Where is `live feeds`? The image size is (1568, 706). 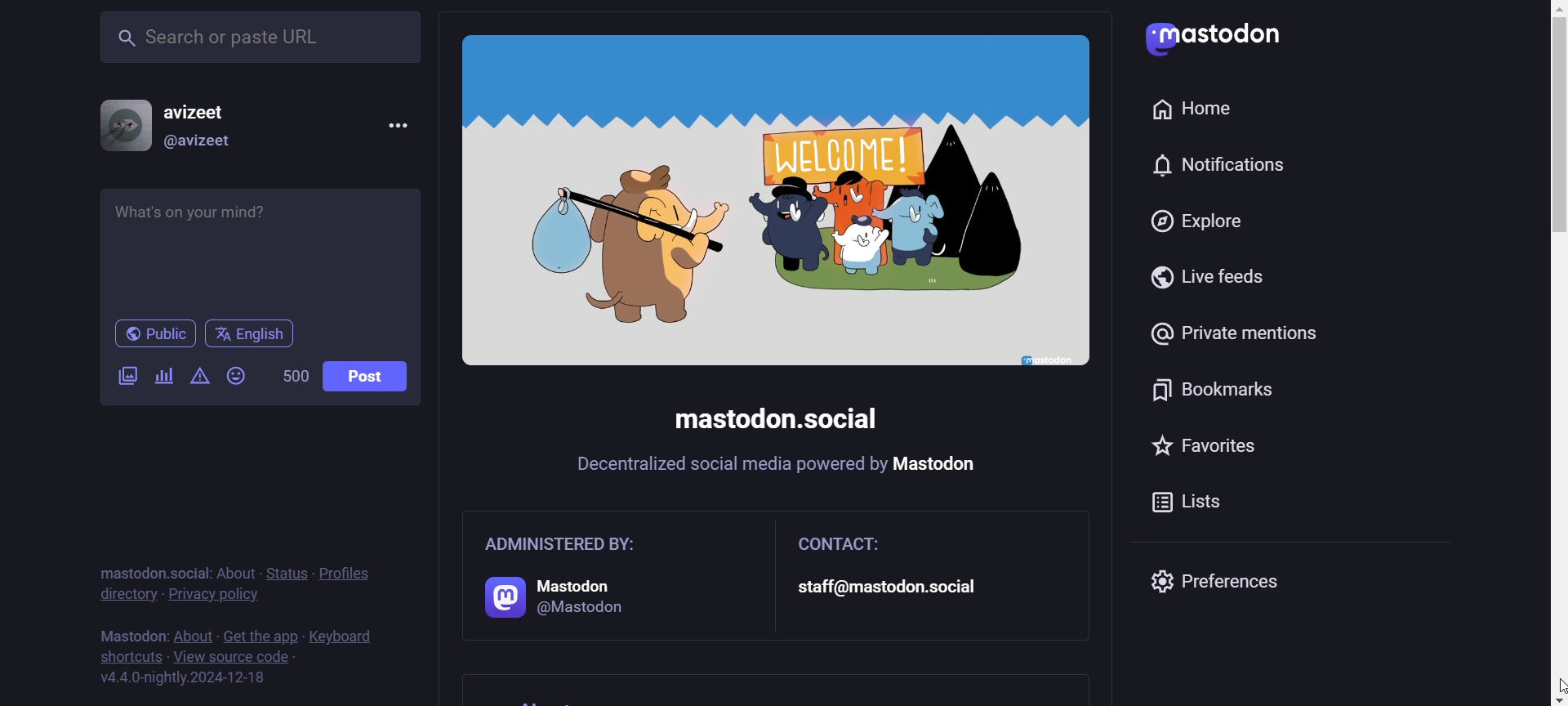 live feeds is located at coordinates (1205, 280).